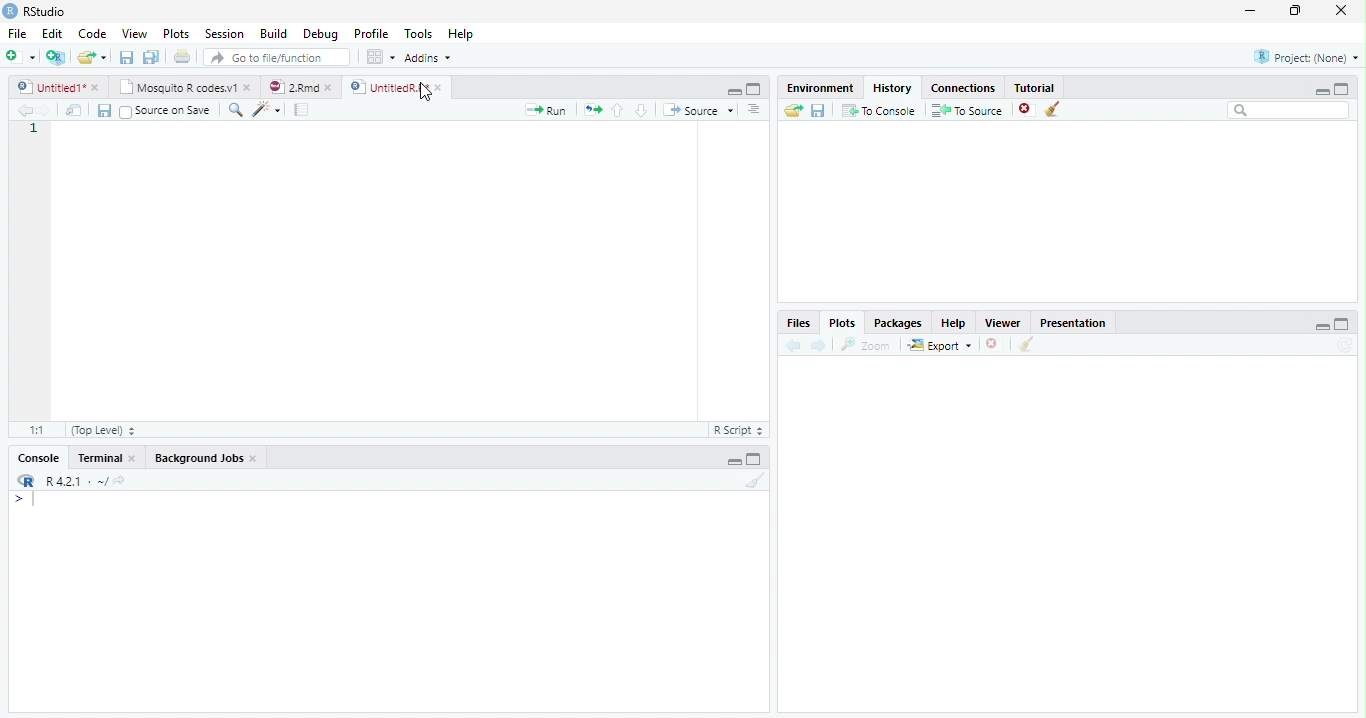 This screenshot has height=718, width=1366. What do you see at coordinates (1339, 12) in the screenshot?
I see `Close` at bounding box center [1339, 12].